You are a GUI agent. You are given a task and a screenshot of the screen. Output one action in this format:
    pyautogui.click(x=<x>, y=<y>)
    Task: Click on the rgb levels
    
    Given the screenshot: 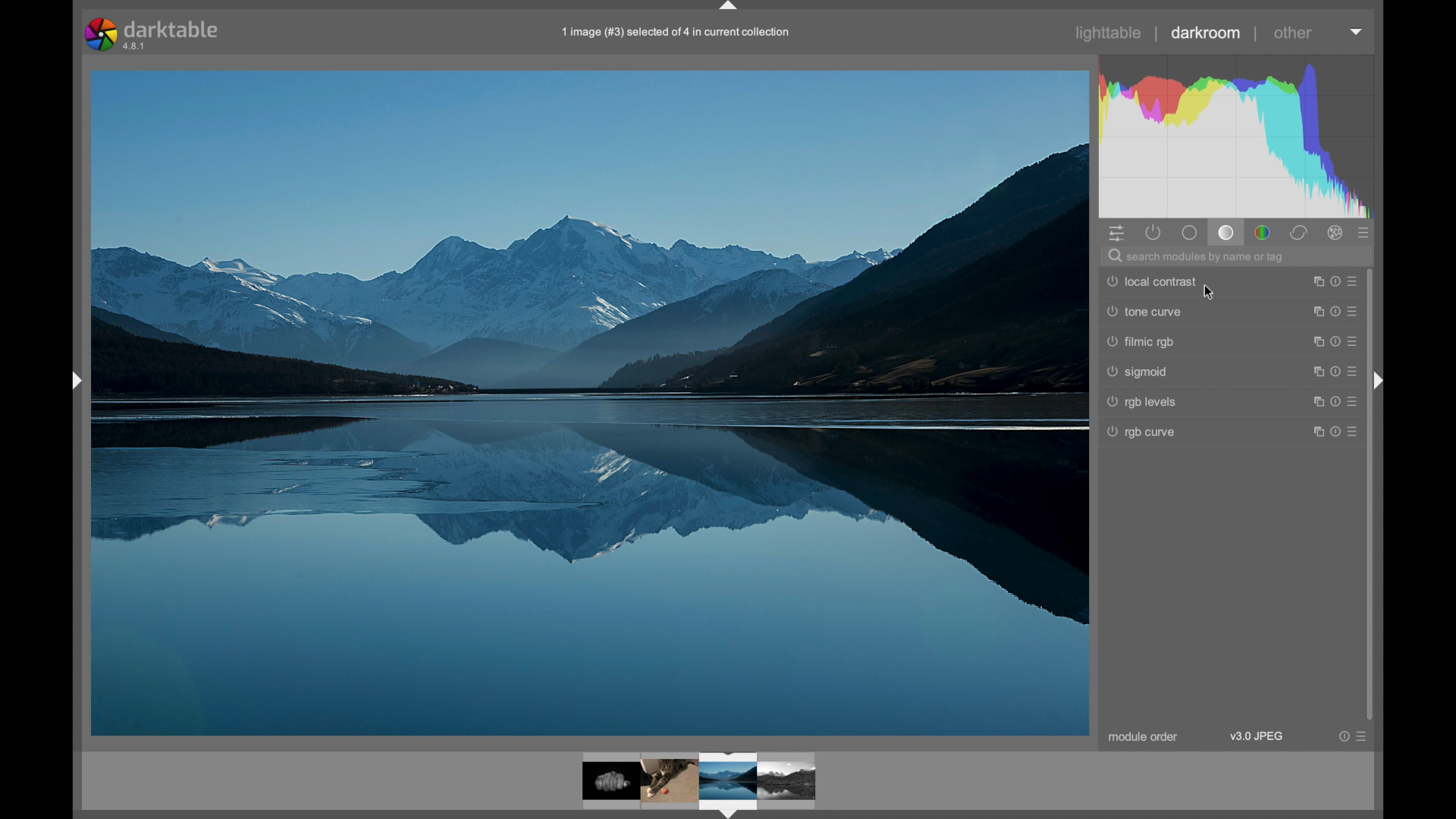 What is the action you would take?
    pyautogui.click(x=1143, y=402)
    